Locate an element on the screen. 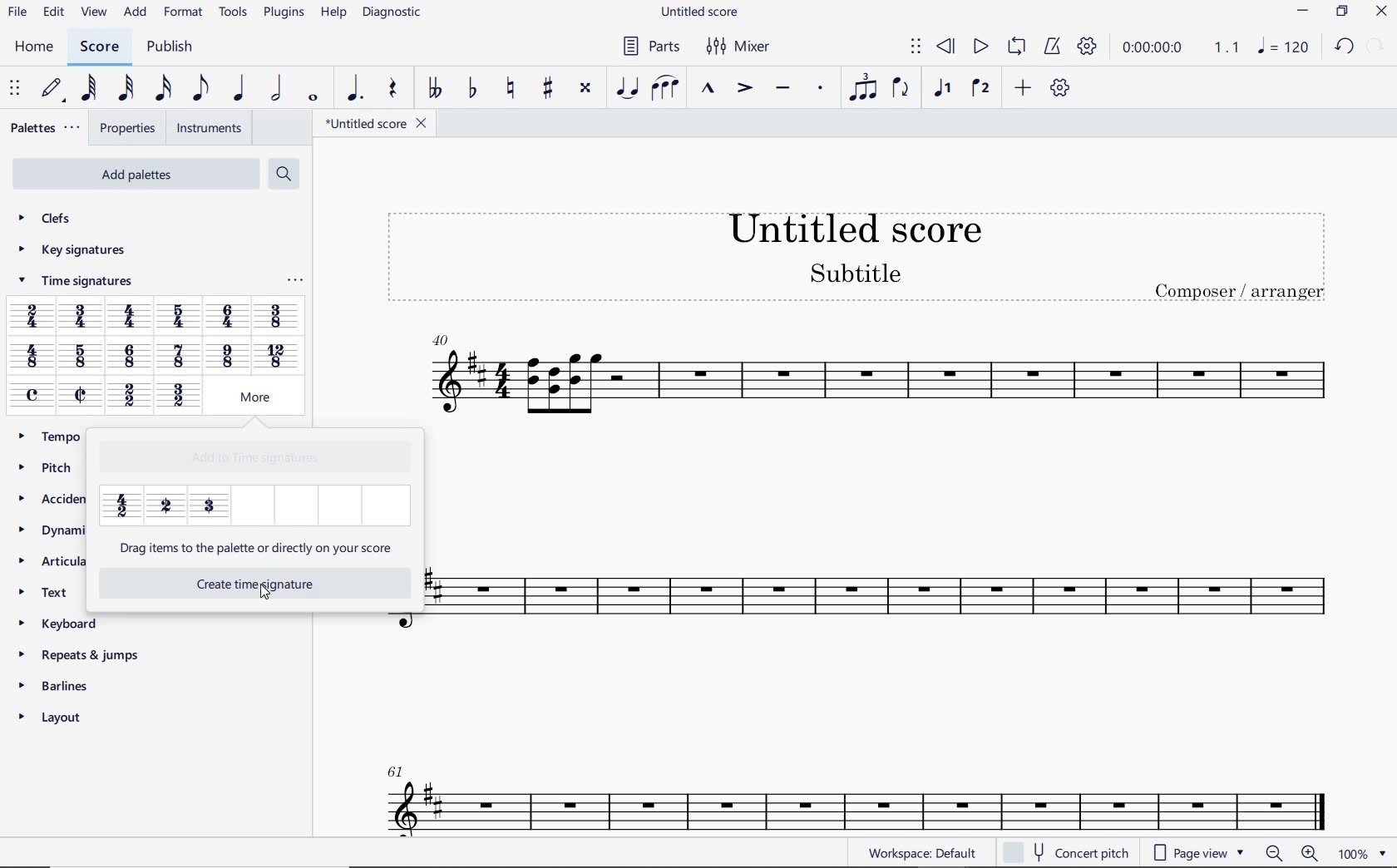  PARTS is located at coordinates (650, 46).